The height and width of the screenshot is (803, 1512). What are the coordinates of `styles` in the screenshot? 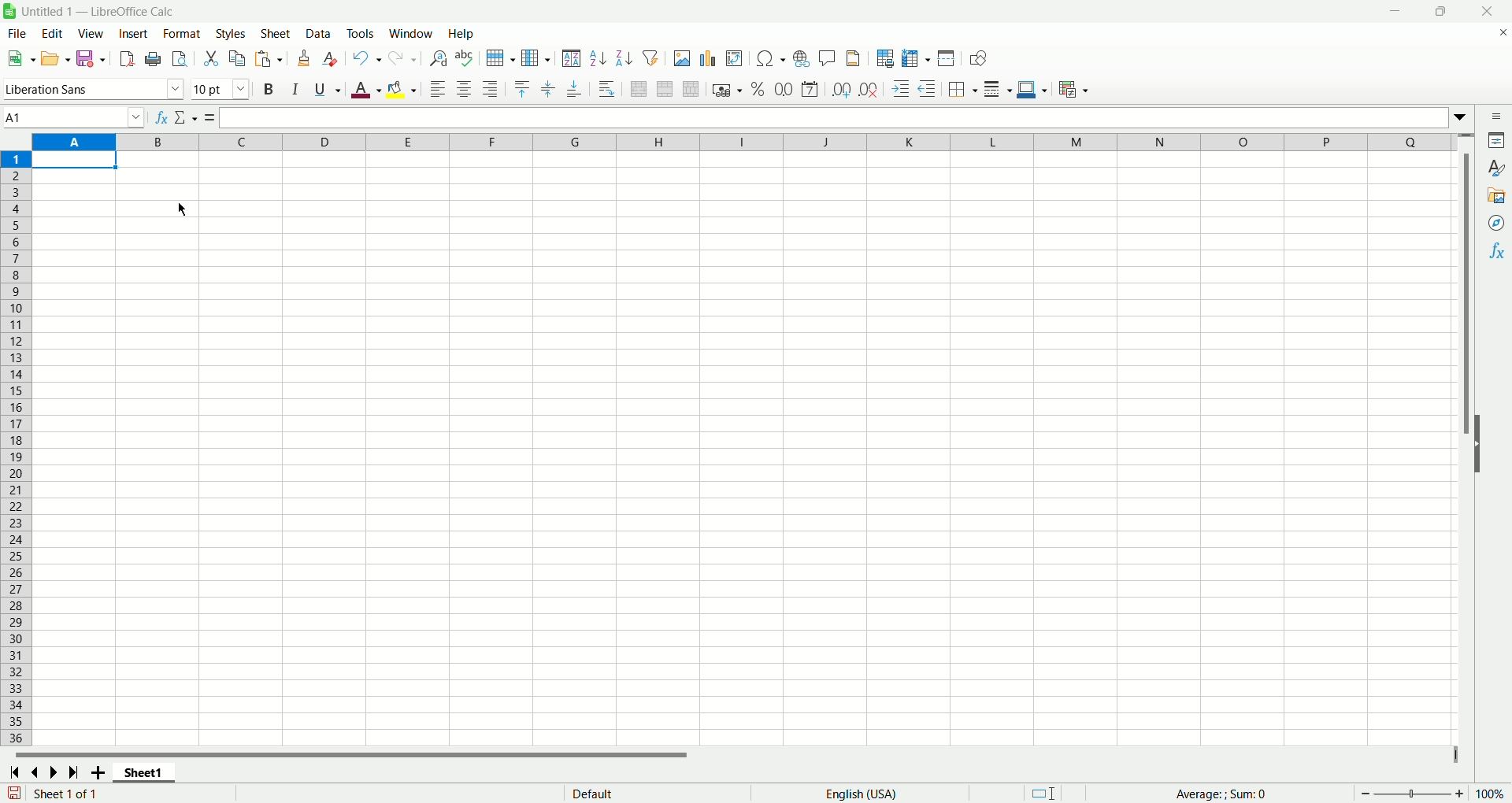 It's located at (1497, 168).